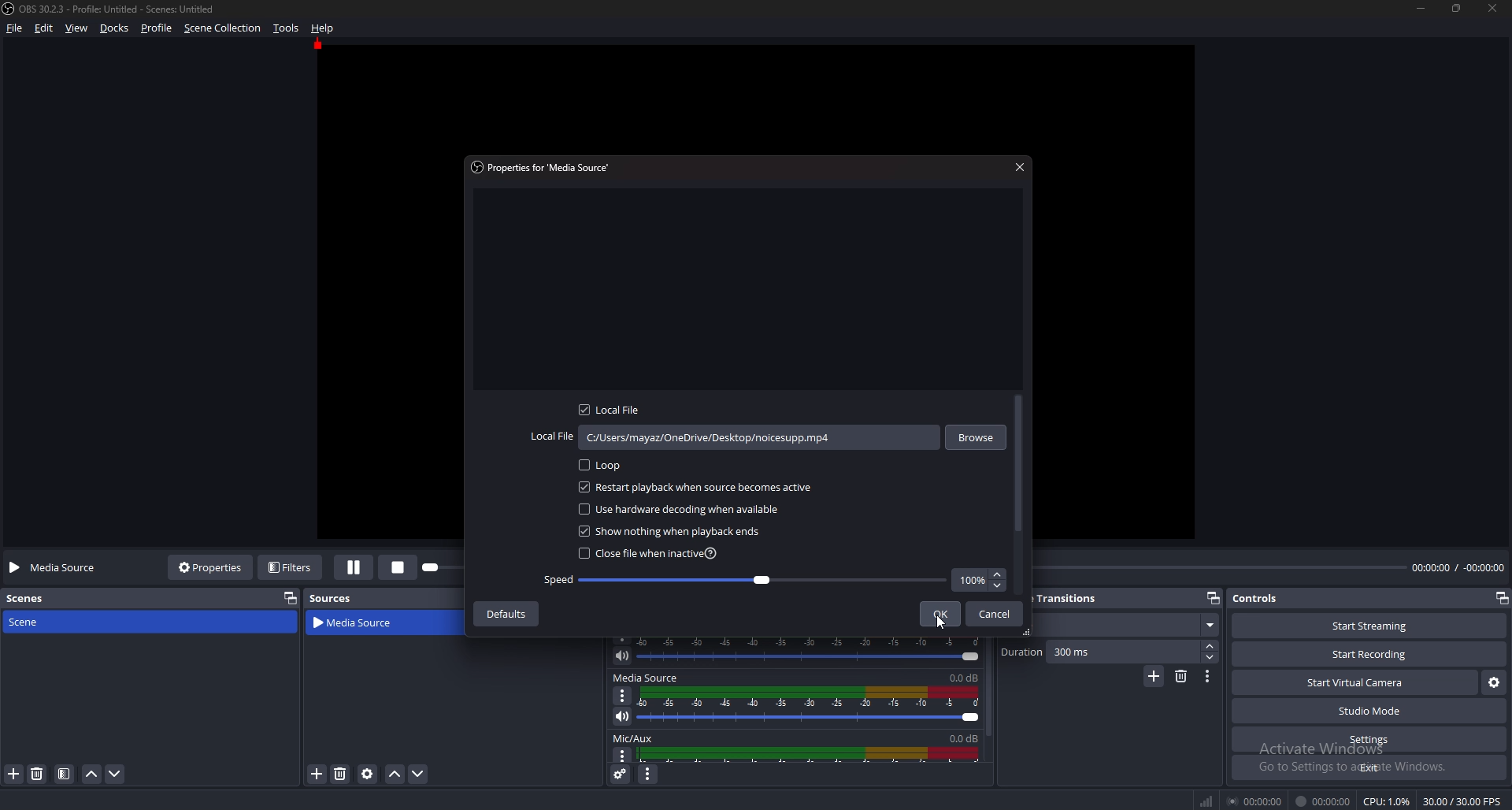  I want to click on  Scene scene, so click(35, 620).